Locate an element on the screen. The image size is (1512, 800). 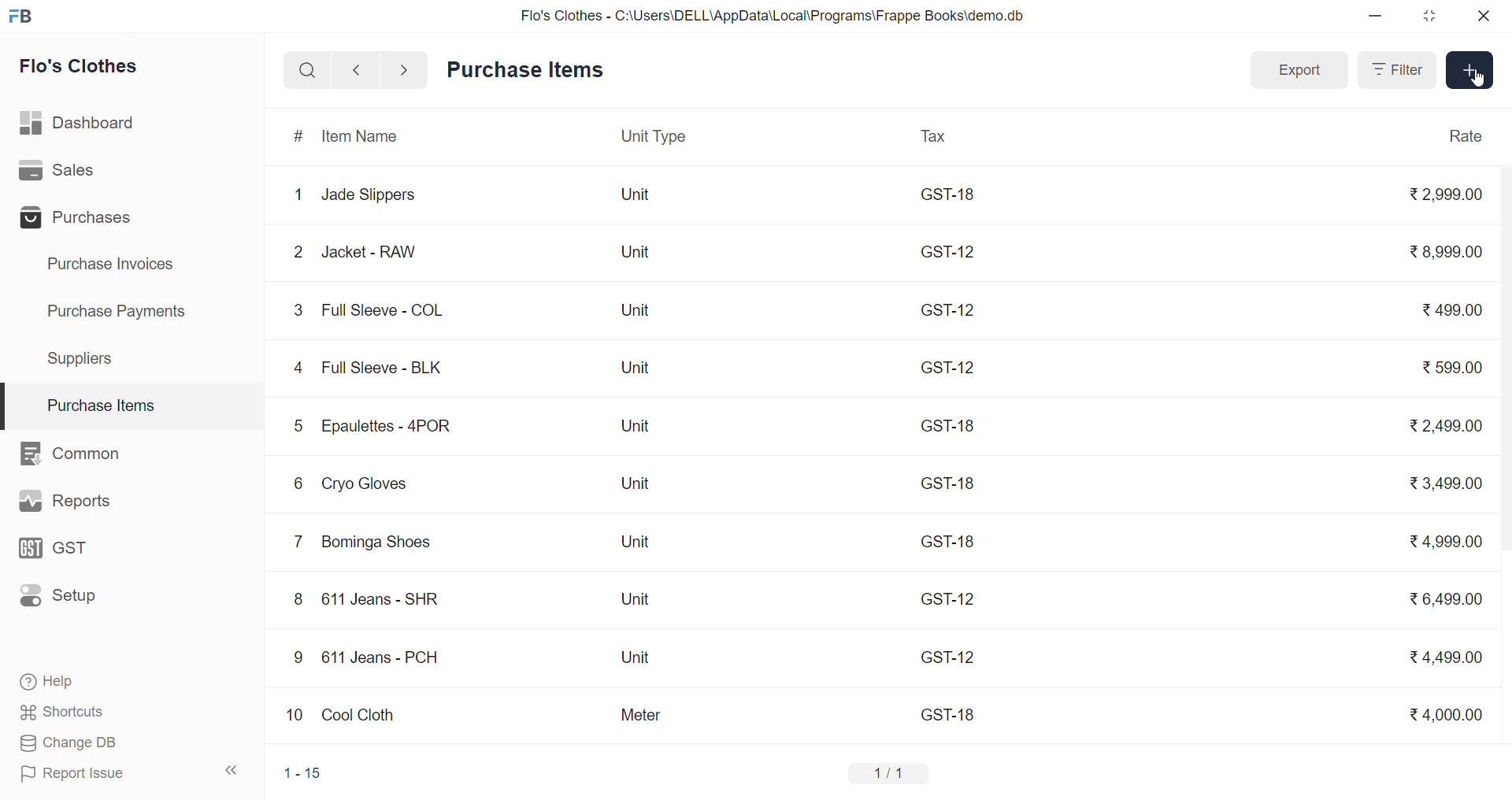
GST-12 is located at coordinates (949, 252).